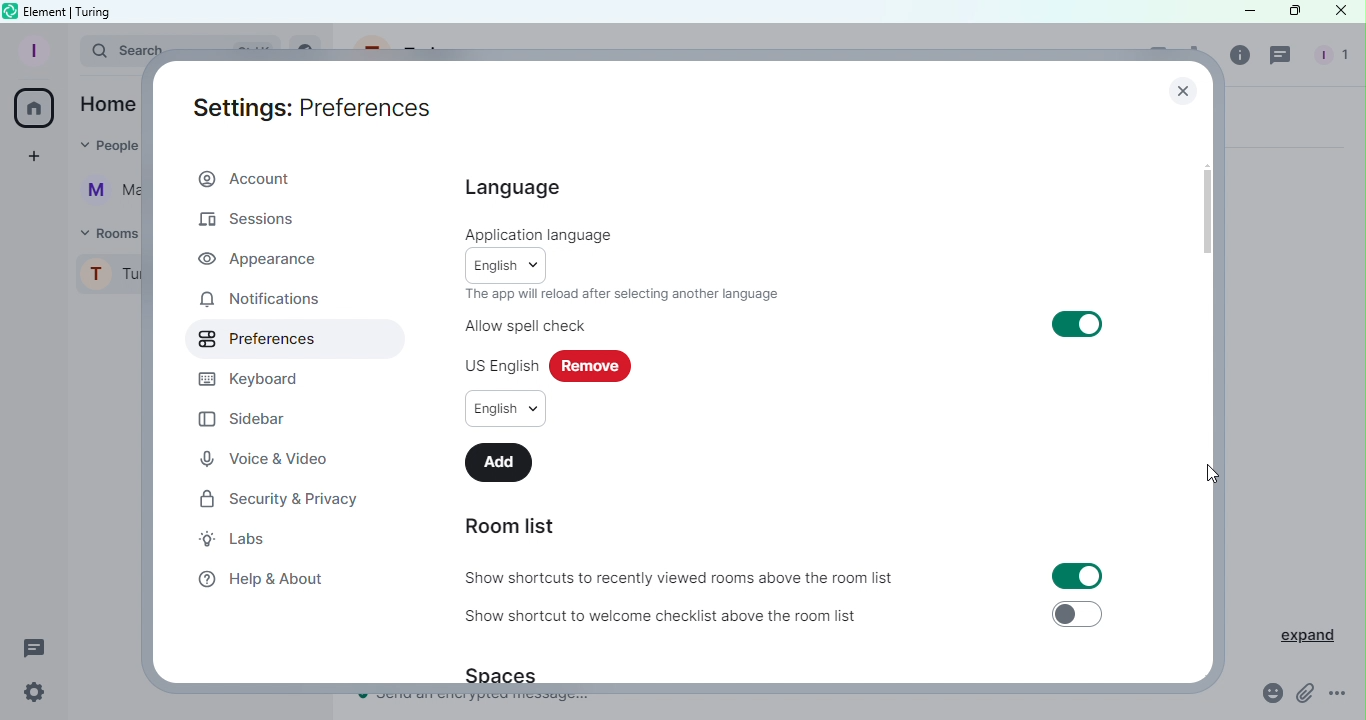 The width and height of the screenshot is (1366, 720). Describe the element at coordinates (108, 53) in the screenshot. I see `Search` at that location.